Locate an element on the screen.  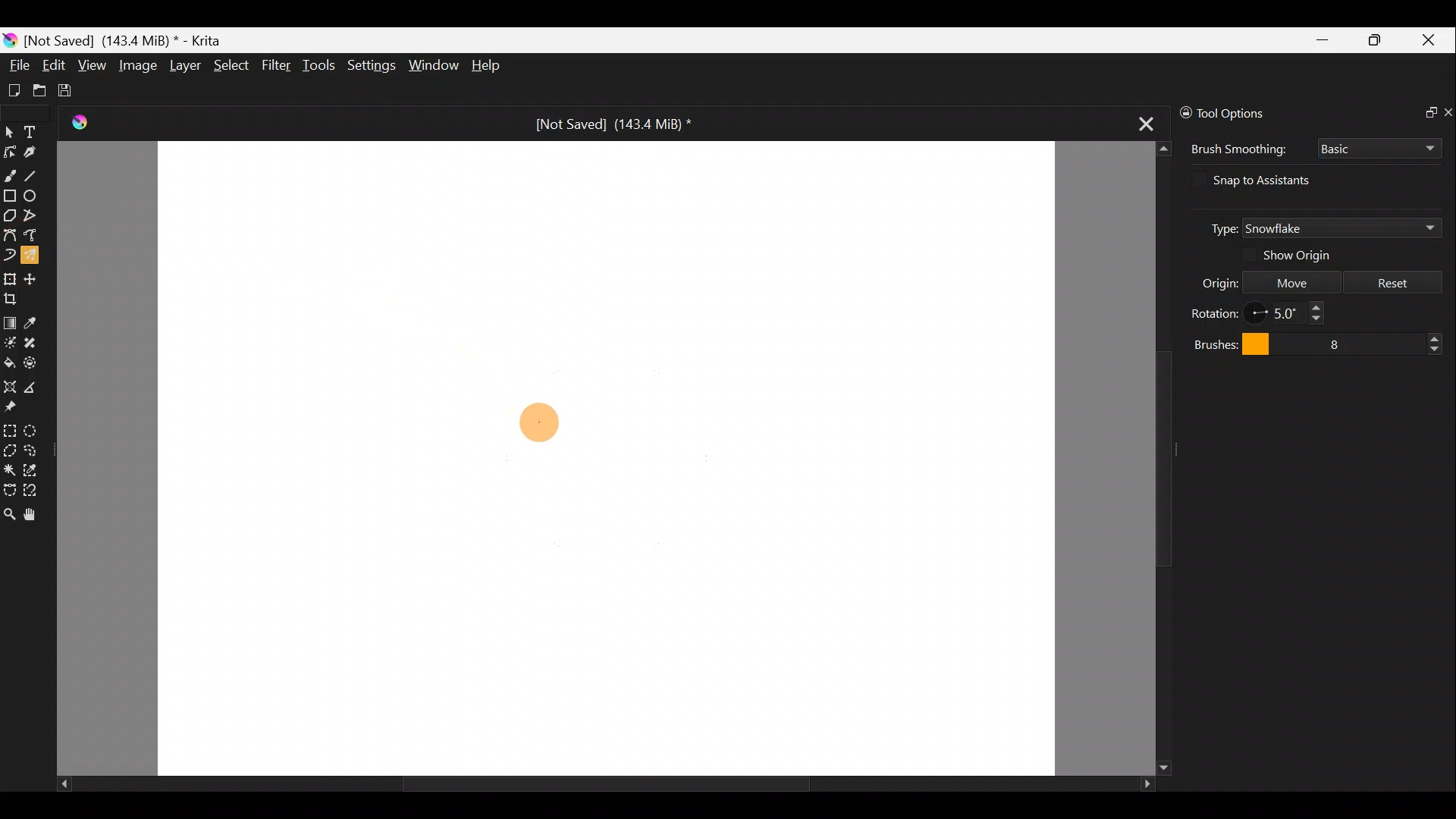
Assistant tool is located at coordinates (11, 387).